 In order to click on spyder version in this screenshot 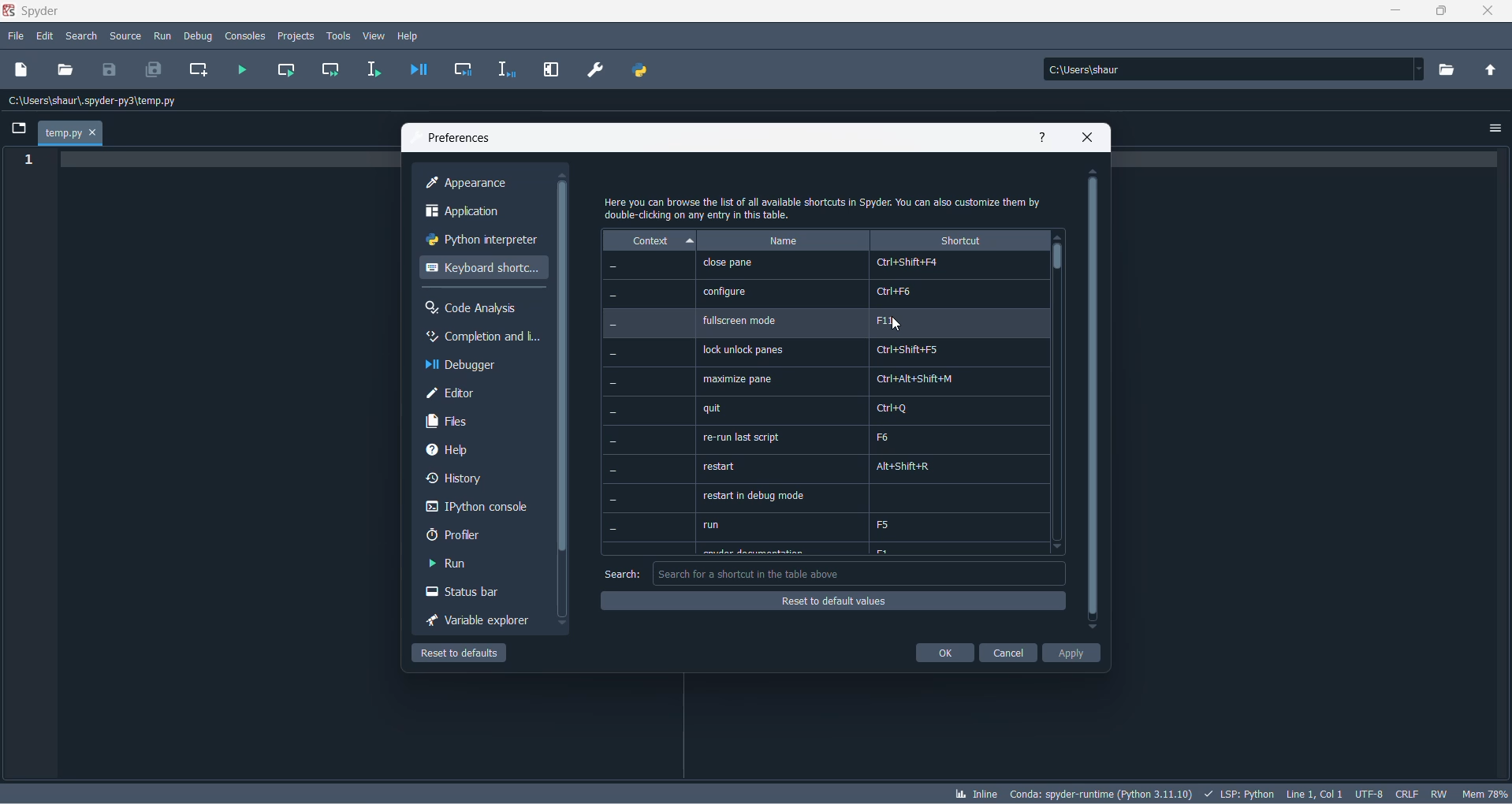, I will do `click(1104, 791)`.